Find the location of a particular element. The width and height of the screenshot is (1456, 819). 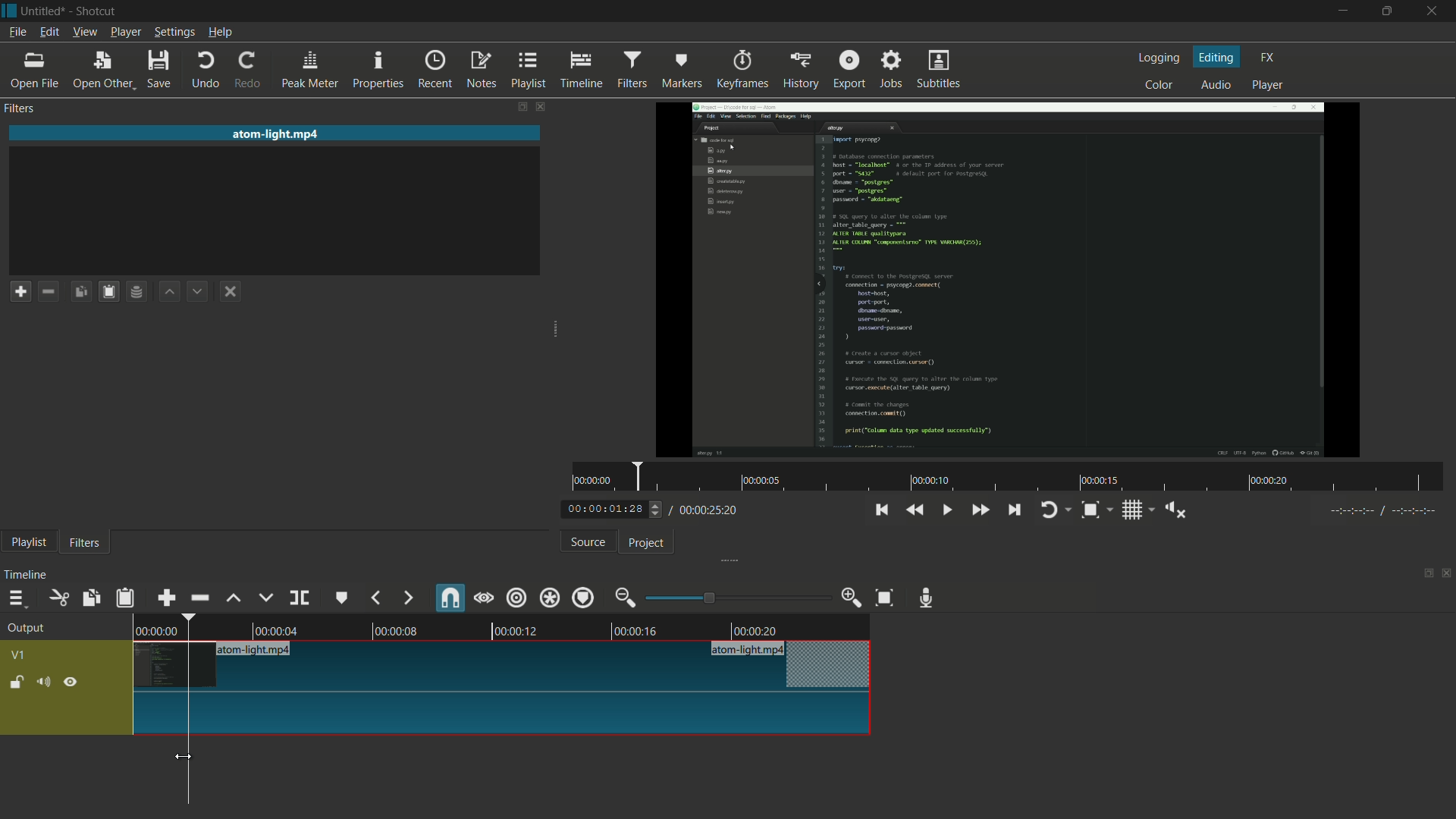

video track v1 is located at coordinates (504, 666).